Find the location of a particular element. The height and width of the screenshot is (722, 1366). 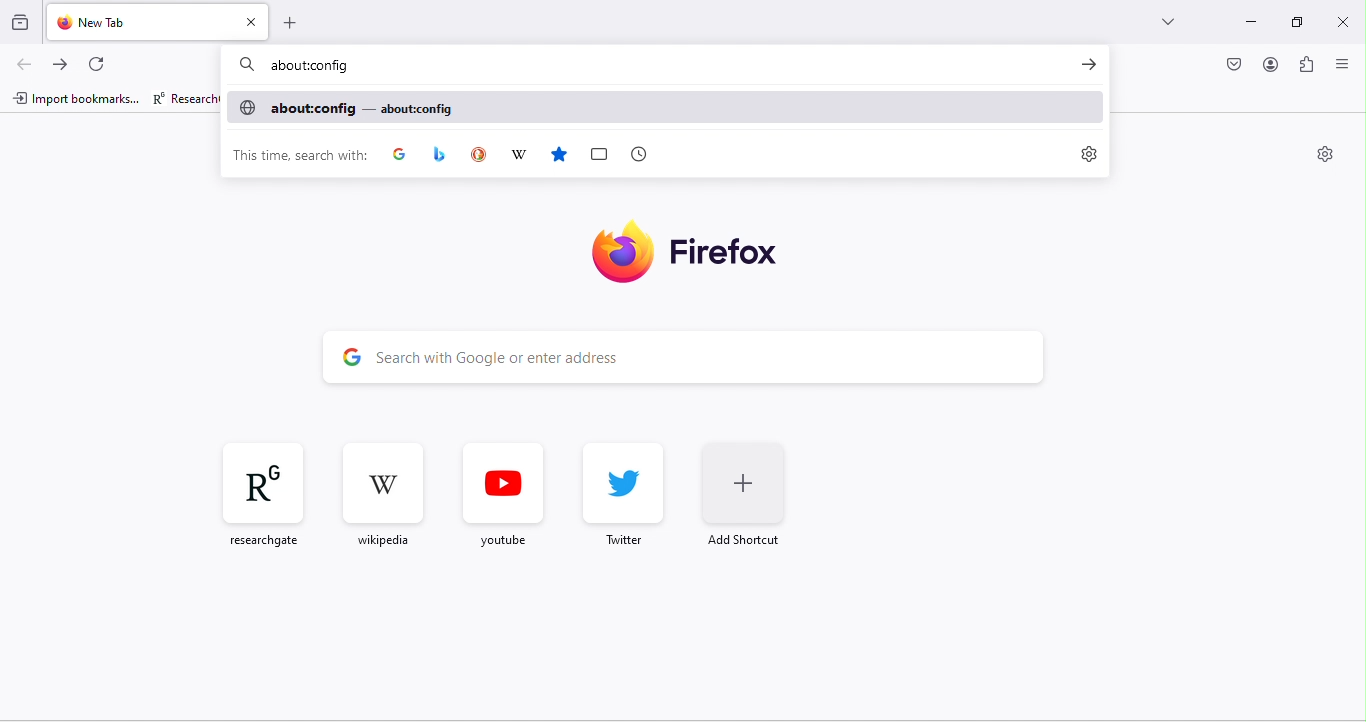

this time search with is located at coordinates (298, 157).